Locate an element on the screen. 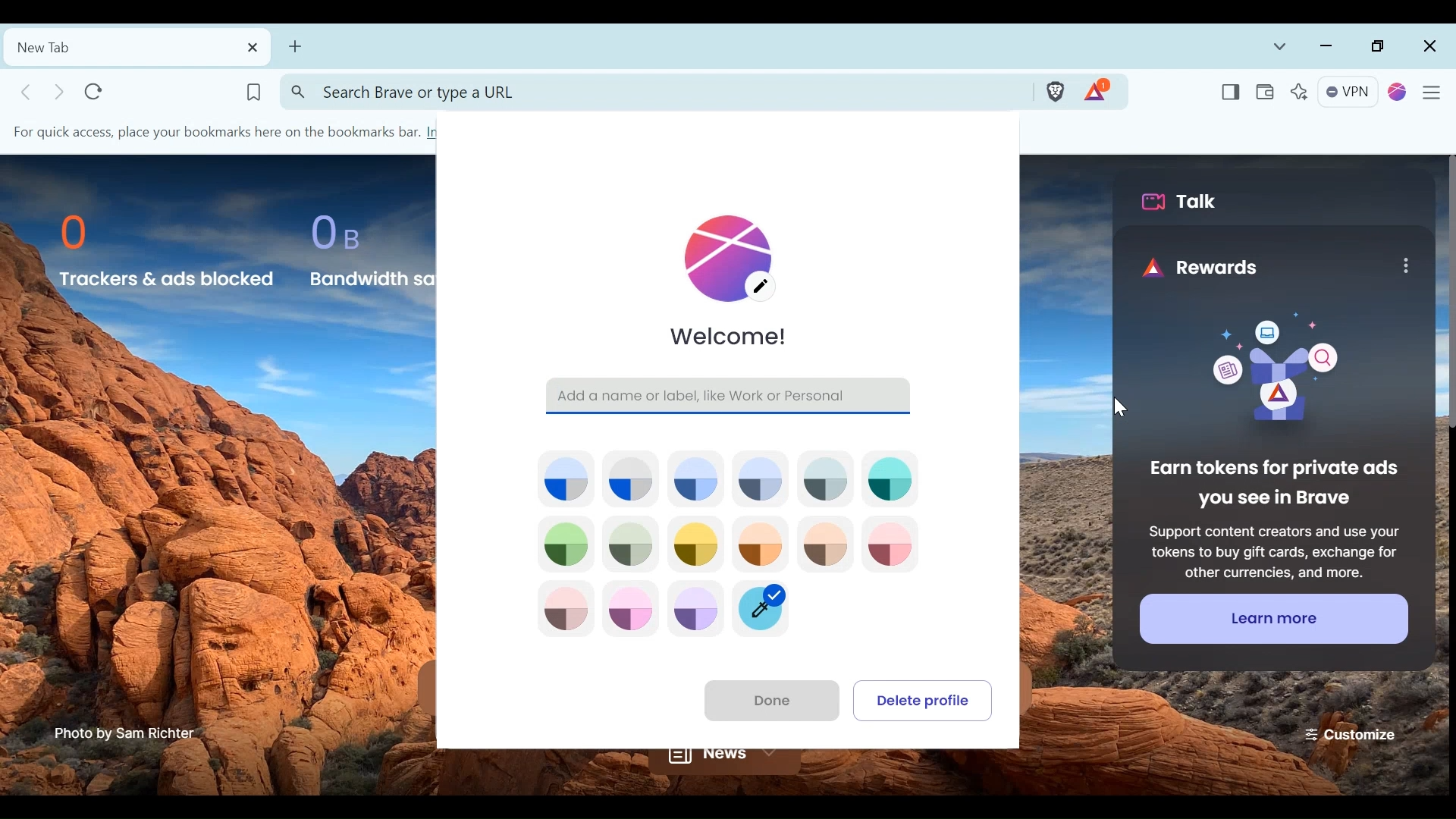  0 Trackers & ads Blocked is located at coordinates (168, 250).